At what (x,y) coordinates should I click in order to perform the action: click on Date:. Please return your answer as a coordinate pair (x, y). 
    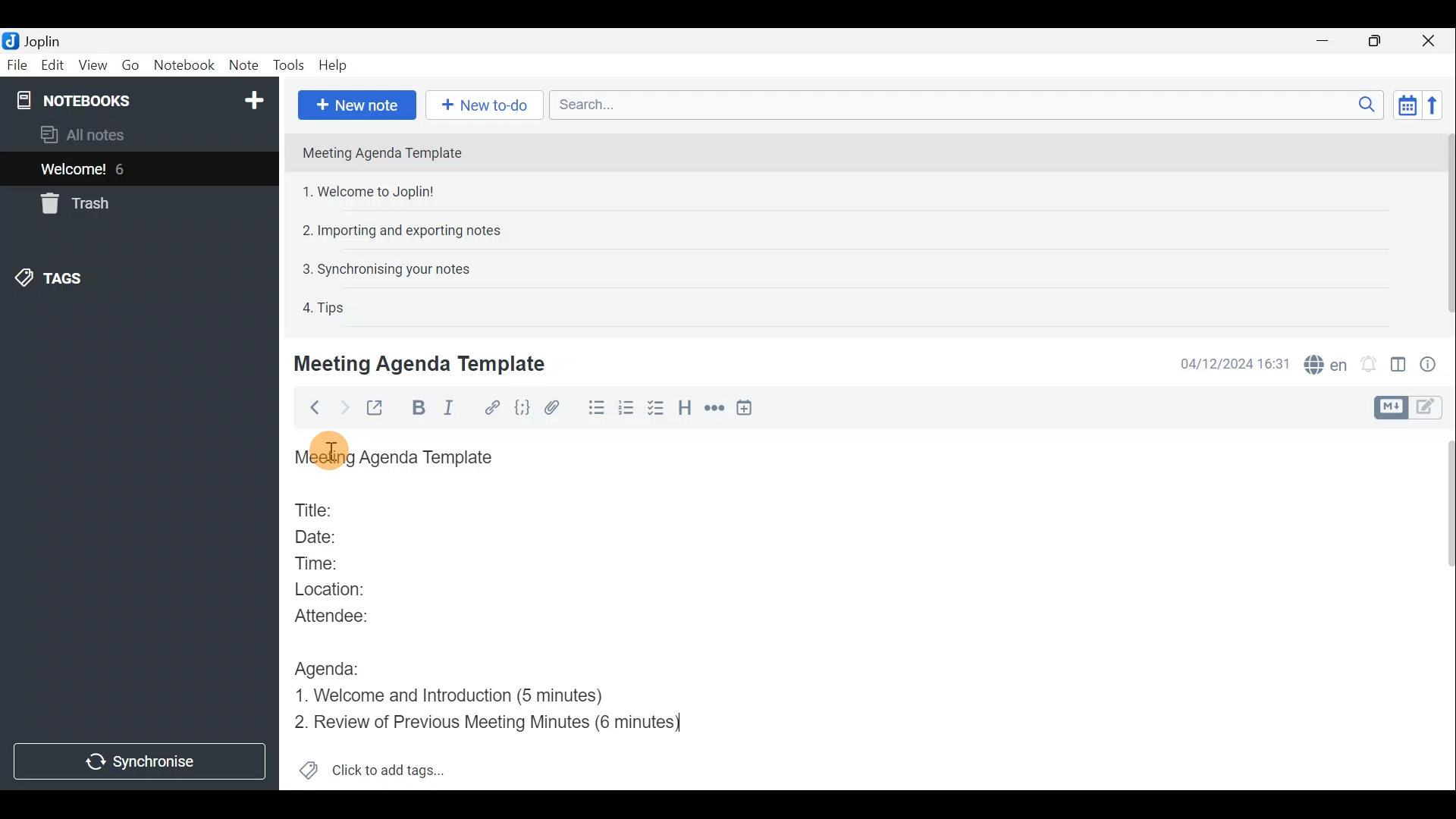
    Looking at the image, I should click on (328, 535).